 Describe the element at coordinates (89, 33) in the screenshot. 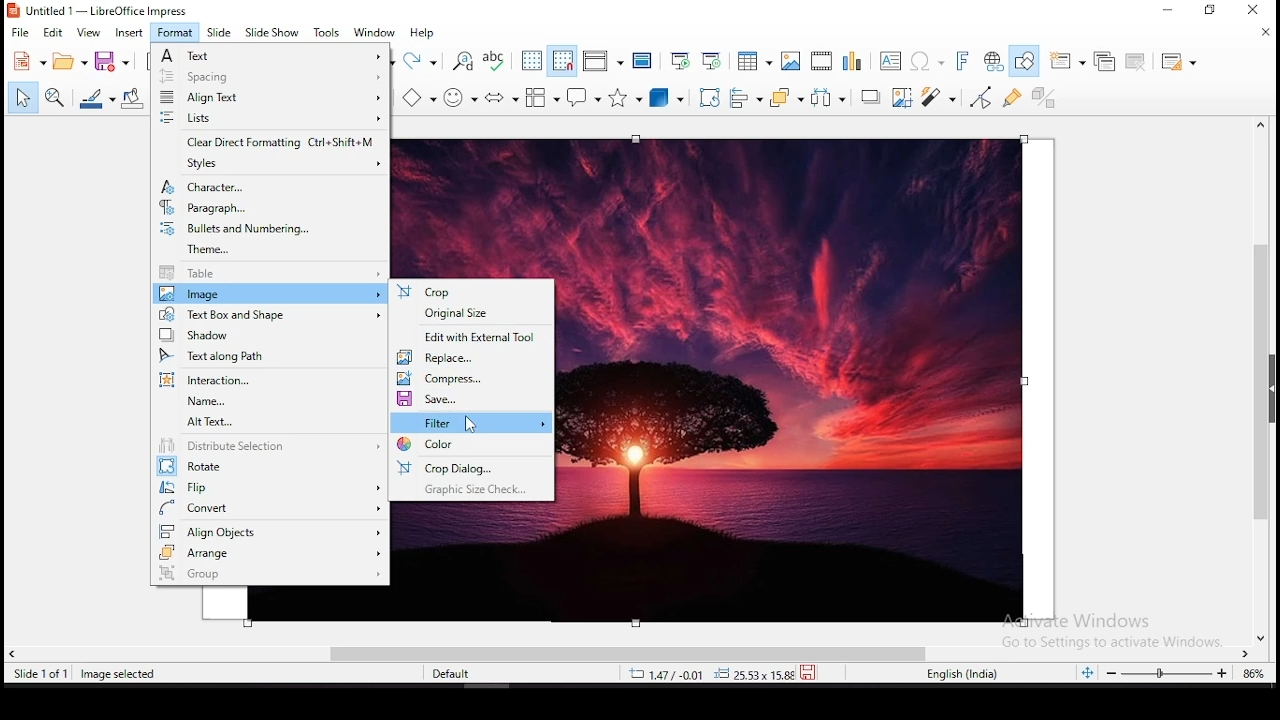

I see `view` at that location.